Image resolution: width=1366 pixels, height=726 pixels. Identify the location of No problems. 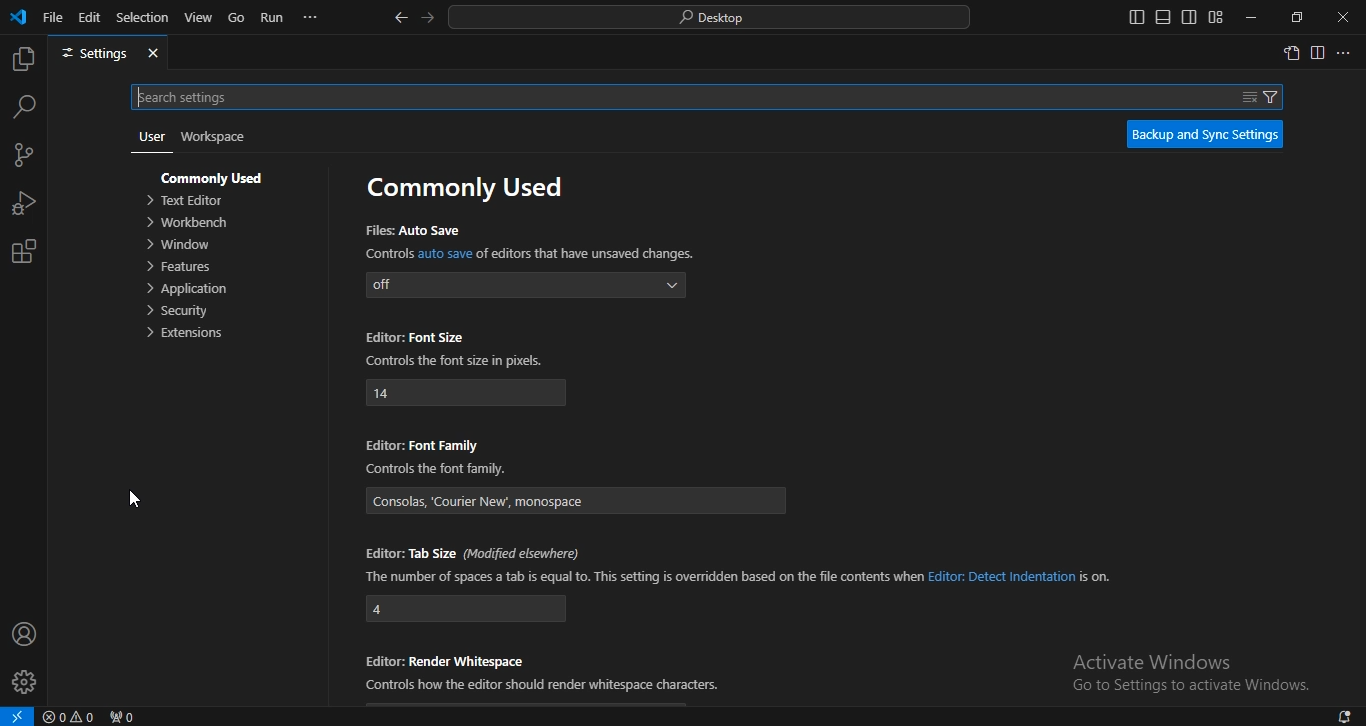
(71, 716).